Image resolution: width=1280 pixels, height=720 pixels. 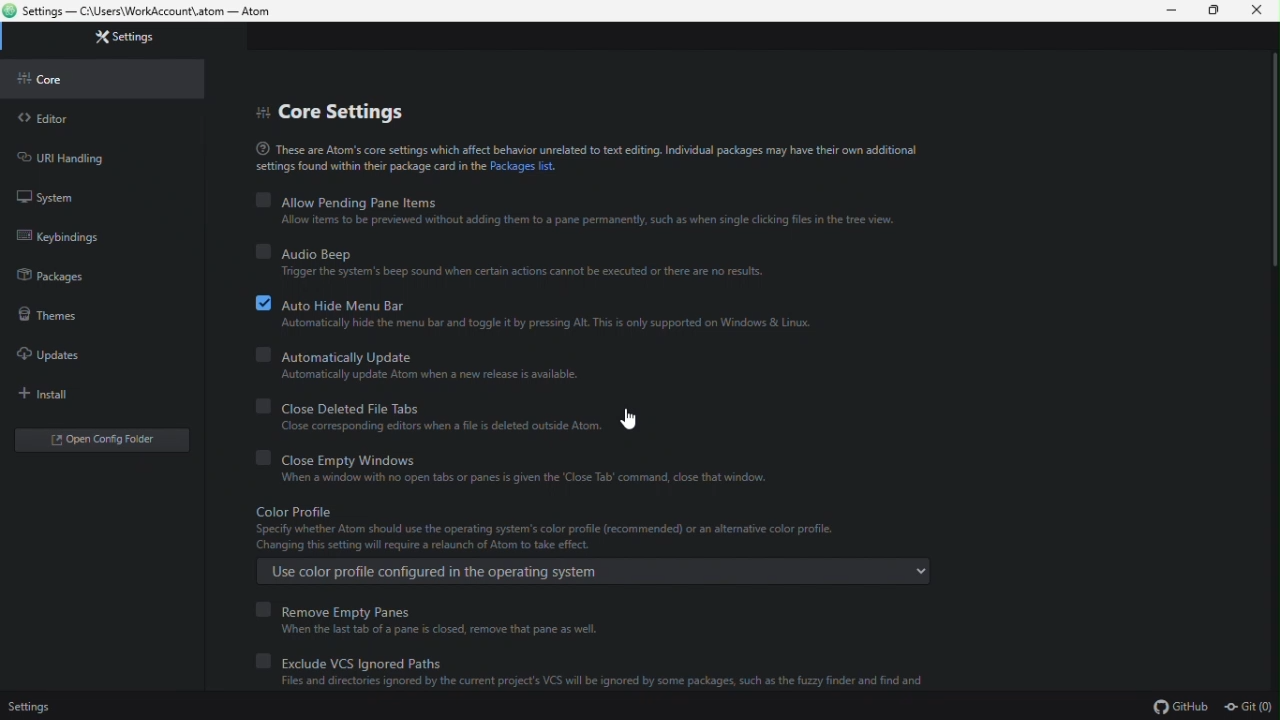 What do you see at coordinates (336, 404) in the screenshot?
I see `Close deleted file tabs` at bounding box center [336, 404].